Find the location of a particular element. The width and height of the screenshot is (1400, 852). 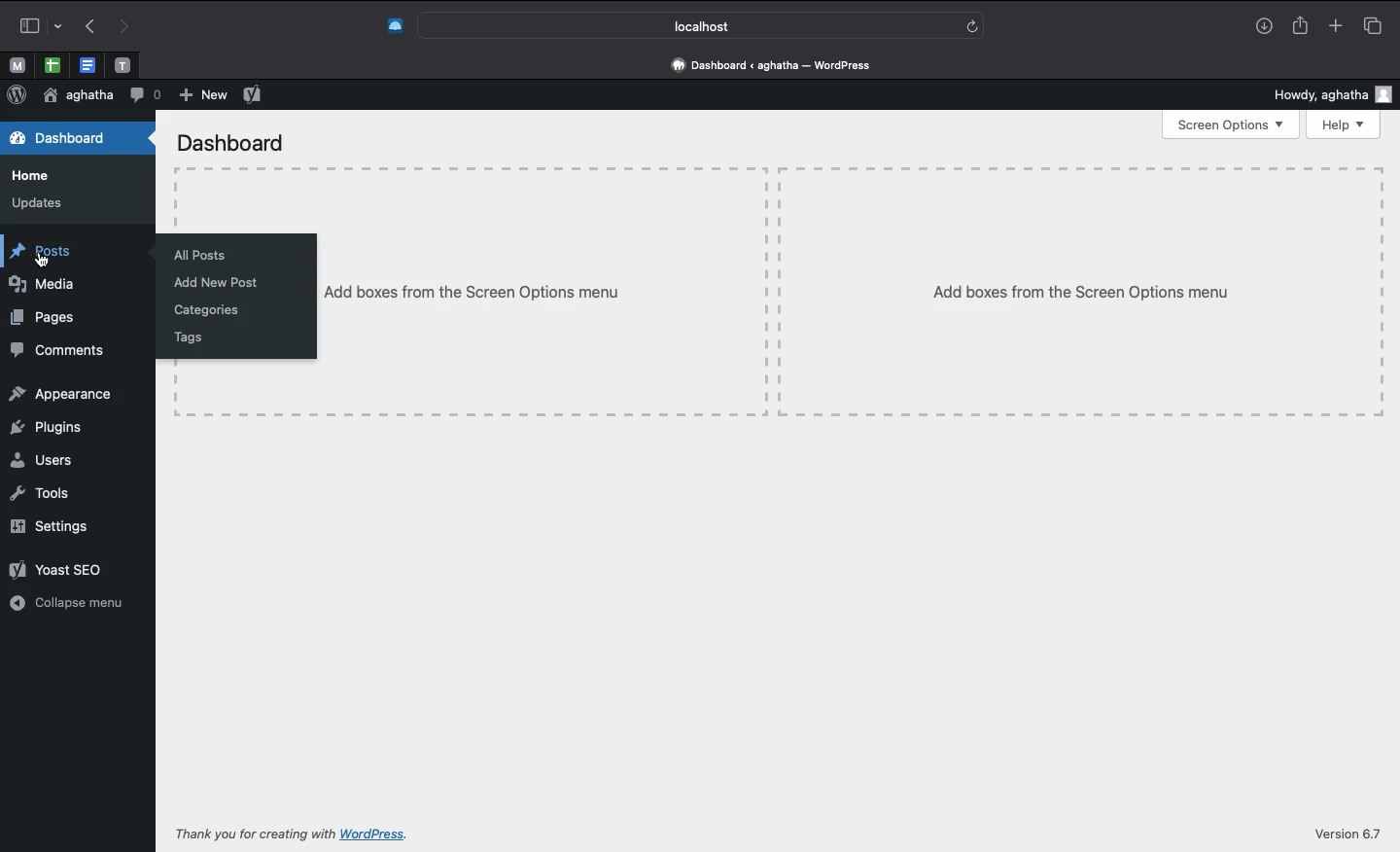

Categories is located at coordinates (203, 311).